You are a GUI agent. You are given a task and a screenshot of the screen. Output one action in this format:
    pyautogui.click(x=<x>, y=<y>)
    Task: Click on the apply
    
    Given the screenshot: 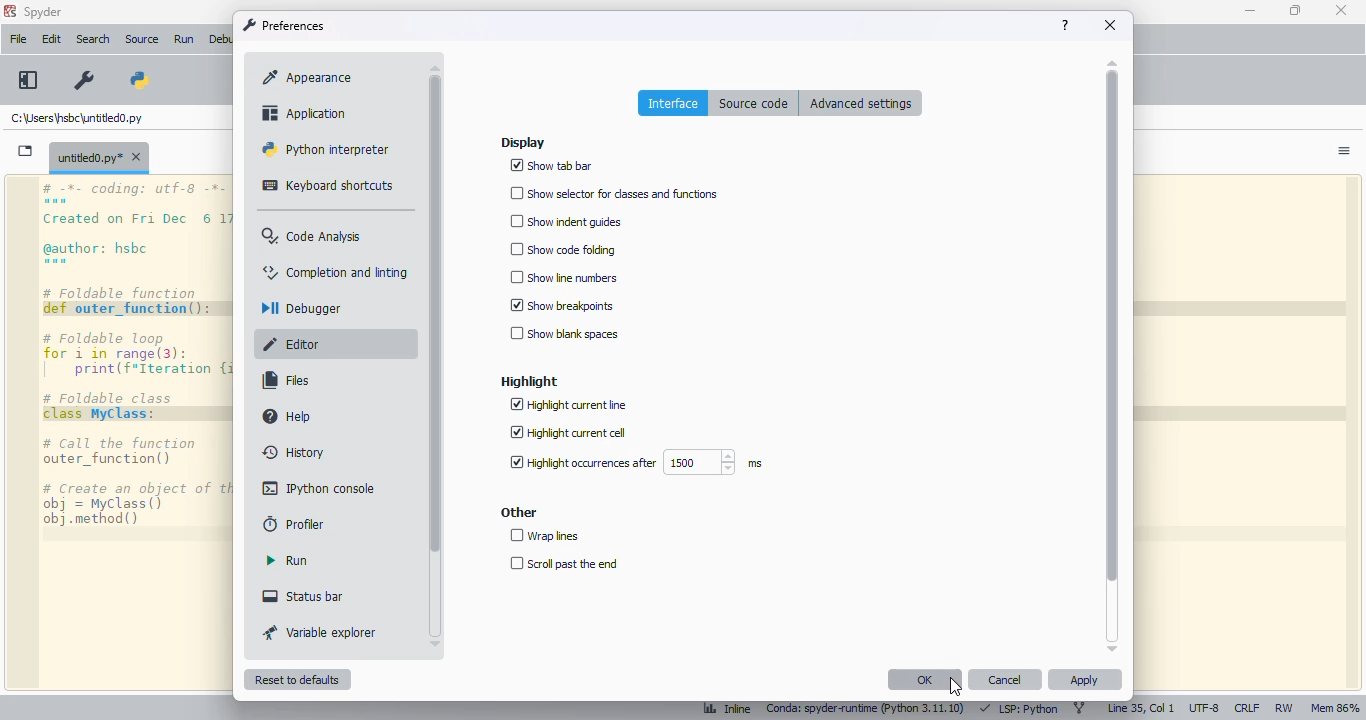 What is the action you would take?
    pyautogui.click(x=1085, y=679)
    